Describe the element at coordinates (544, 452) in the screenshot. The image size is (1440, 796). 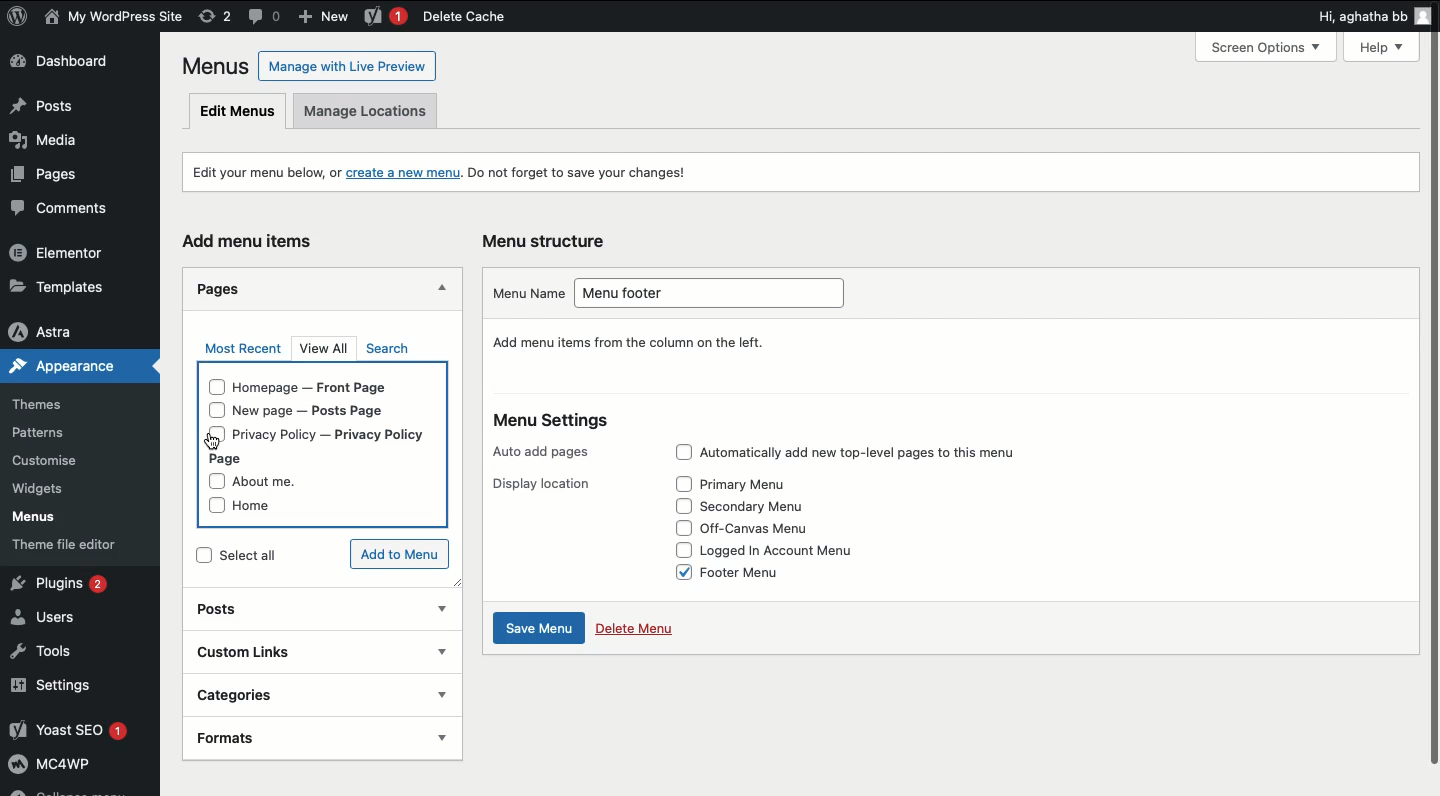
I see `Auto add pages` at that location.